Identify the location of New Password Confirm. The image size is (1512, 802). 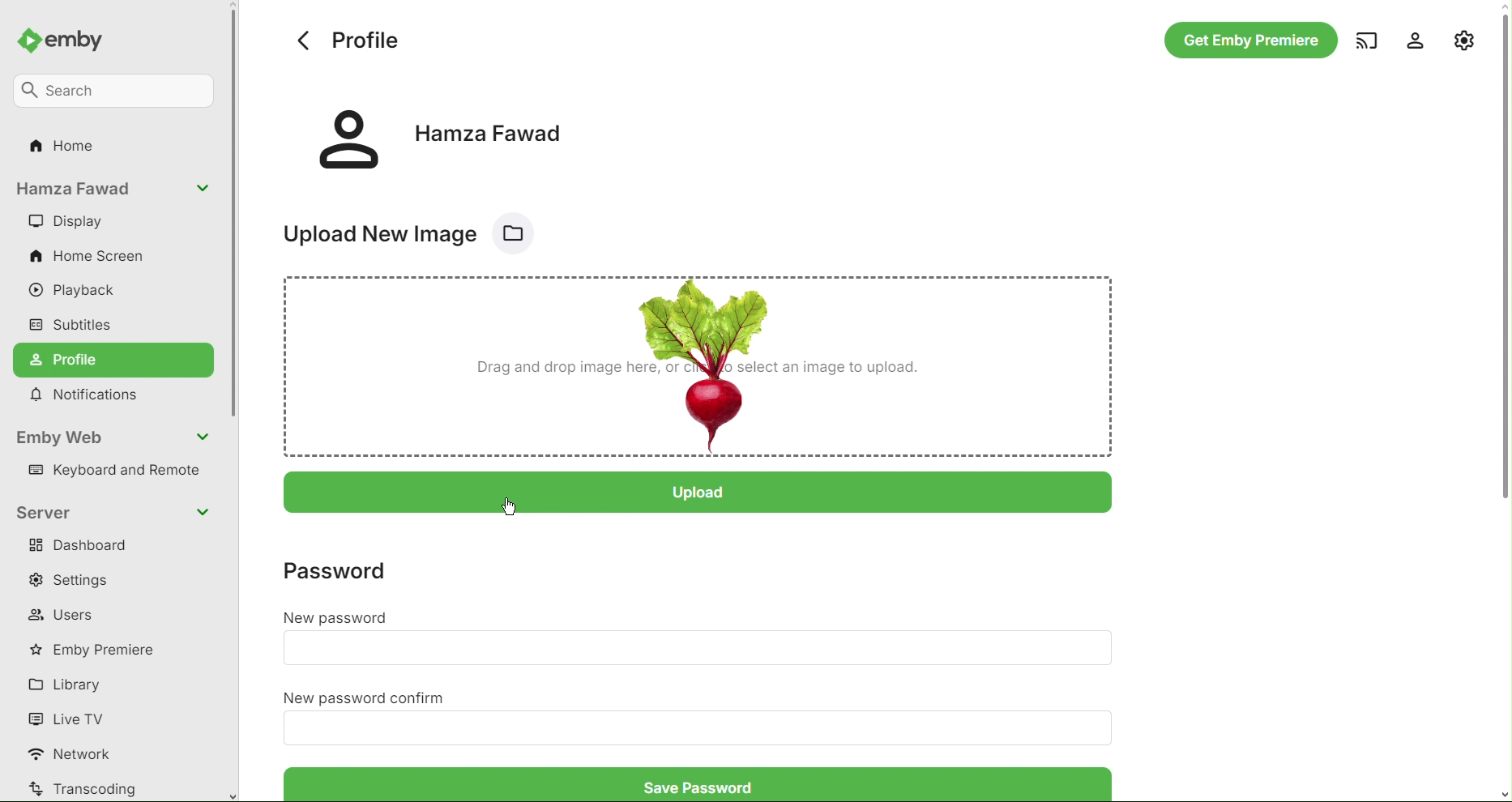
(710, 728).